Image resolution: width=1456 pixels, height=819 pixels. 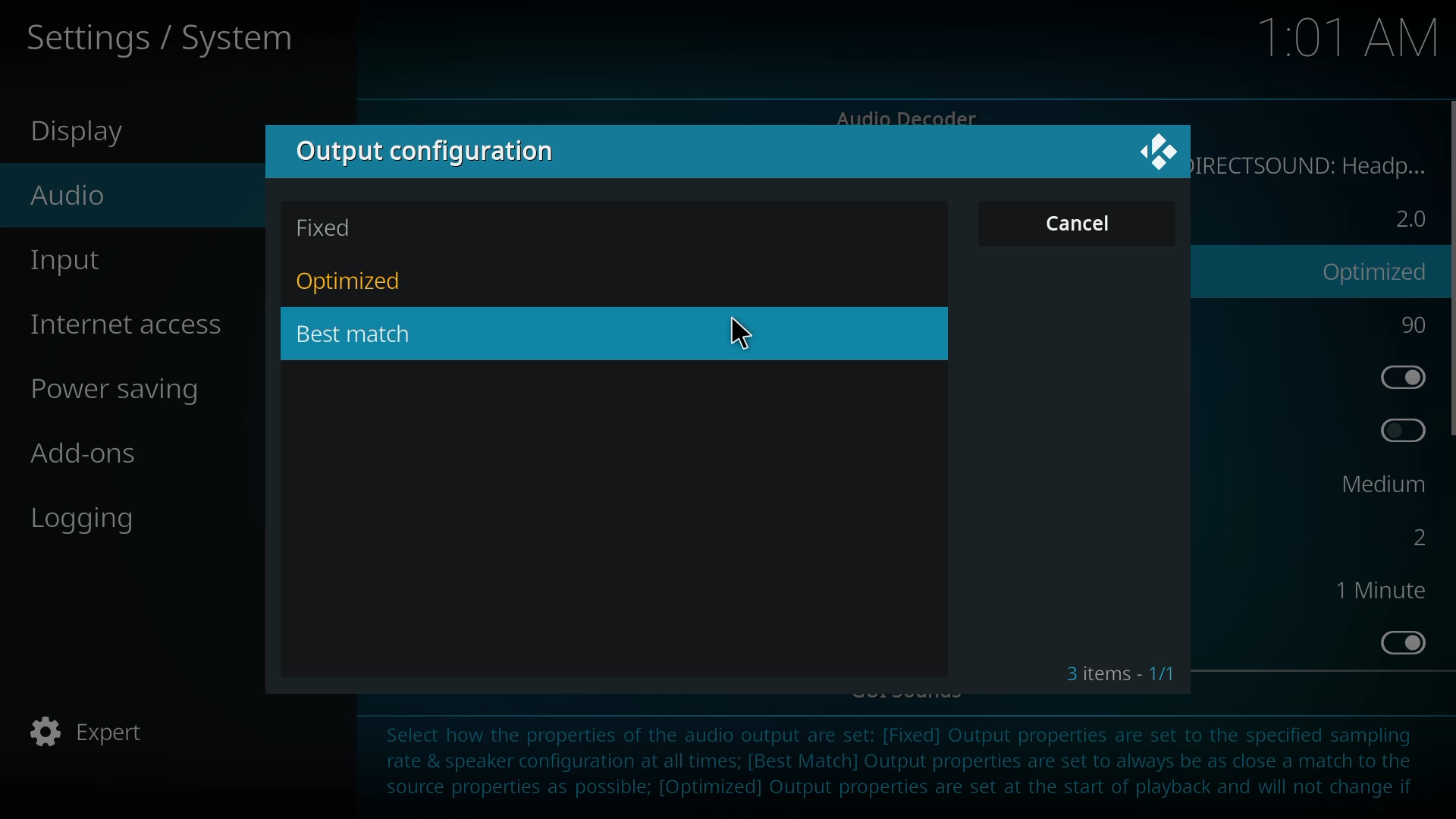 What do you see at coordinates (80, 521) in the screenshot?
I see `logging` at bounding box center [80, 521].